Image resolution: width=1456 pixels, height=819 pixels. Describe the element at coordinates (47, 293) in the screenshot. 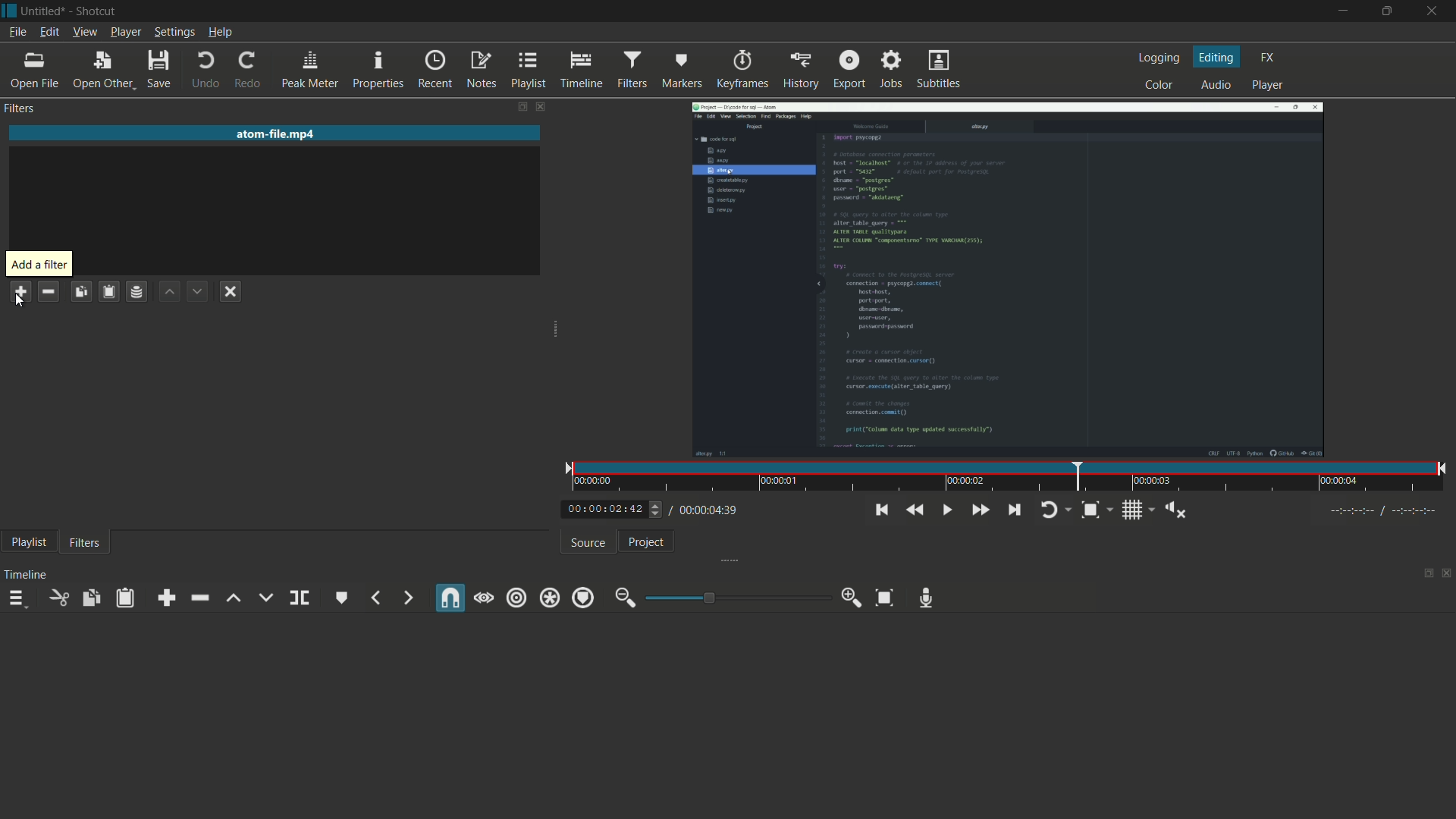

I see `remove a filter` at that location.